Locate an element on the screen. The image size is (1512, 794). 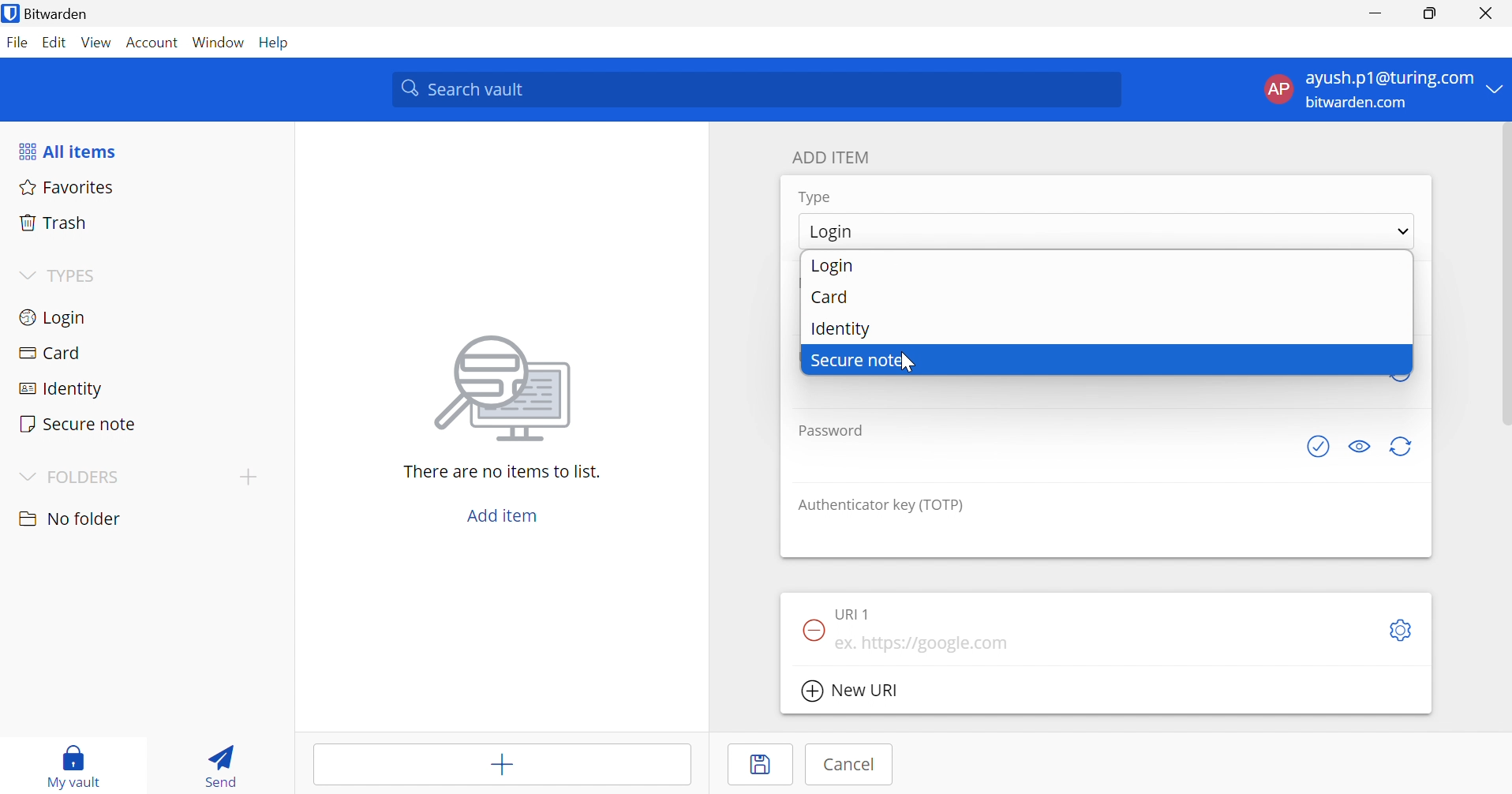
Help is located at coordinates (276, 43).